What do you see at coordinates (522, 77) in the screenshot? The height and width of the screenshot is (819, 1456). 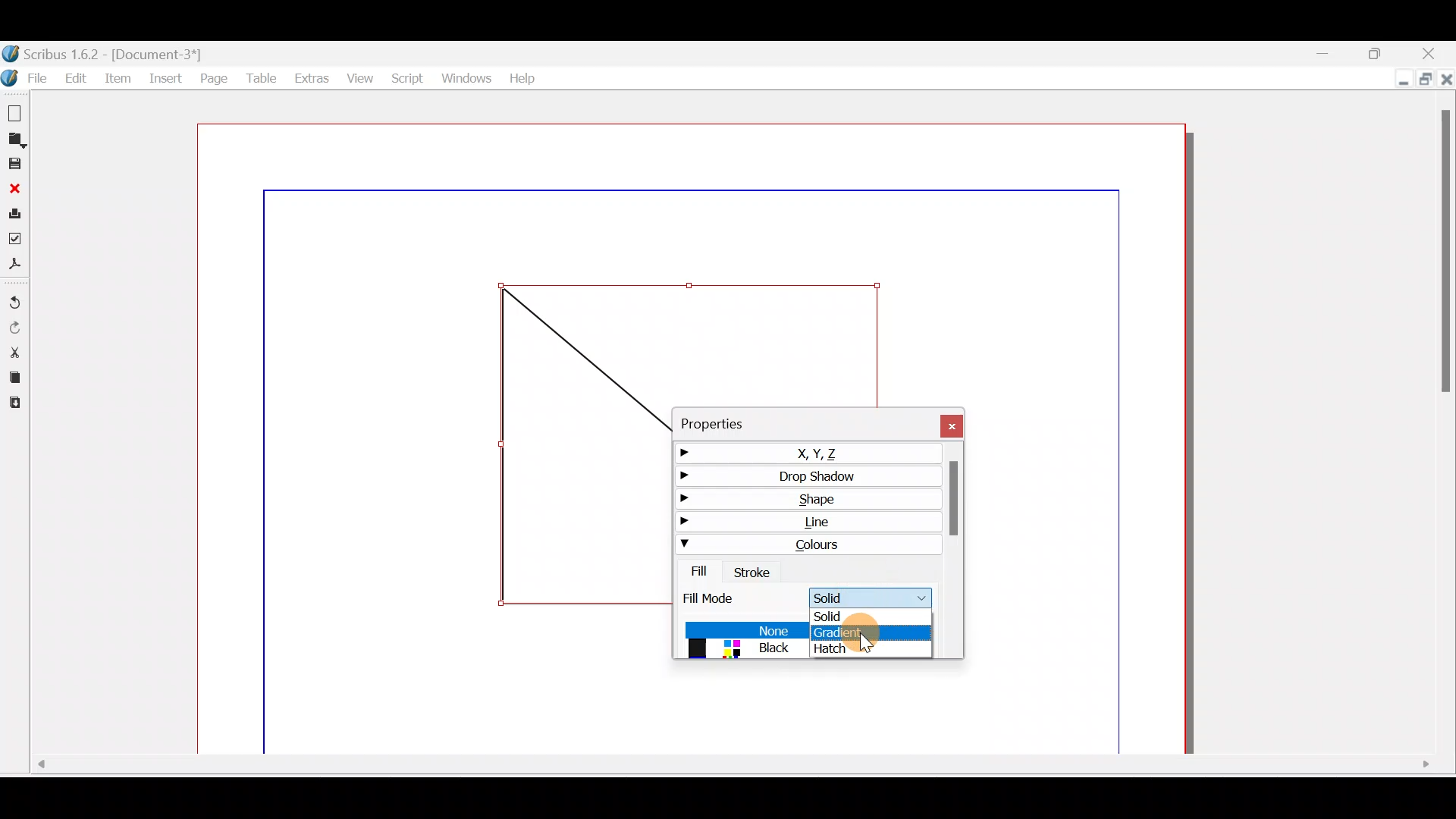 I see `Help` at bounding box center [522, 77].